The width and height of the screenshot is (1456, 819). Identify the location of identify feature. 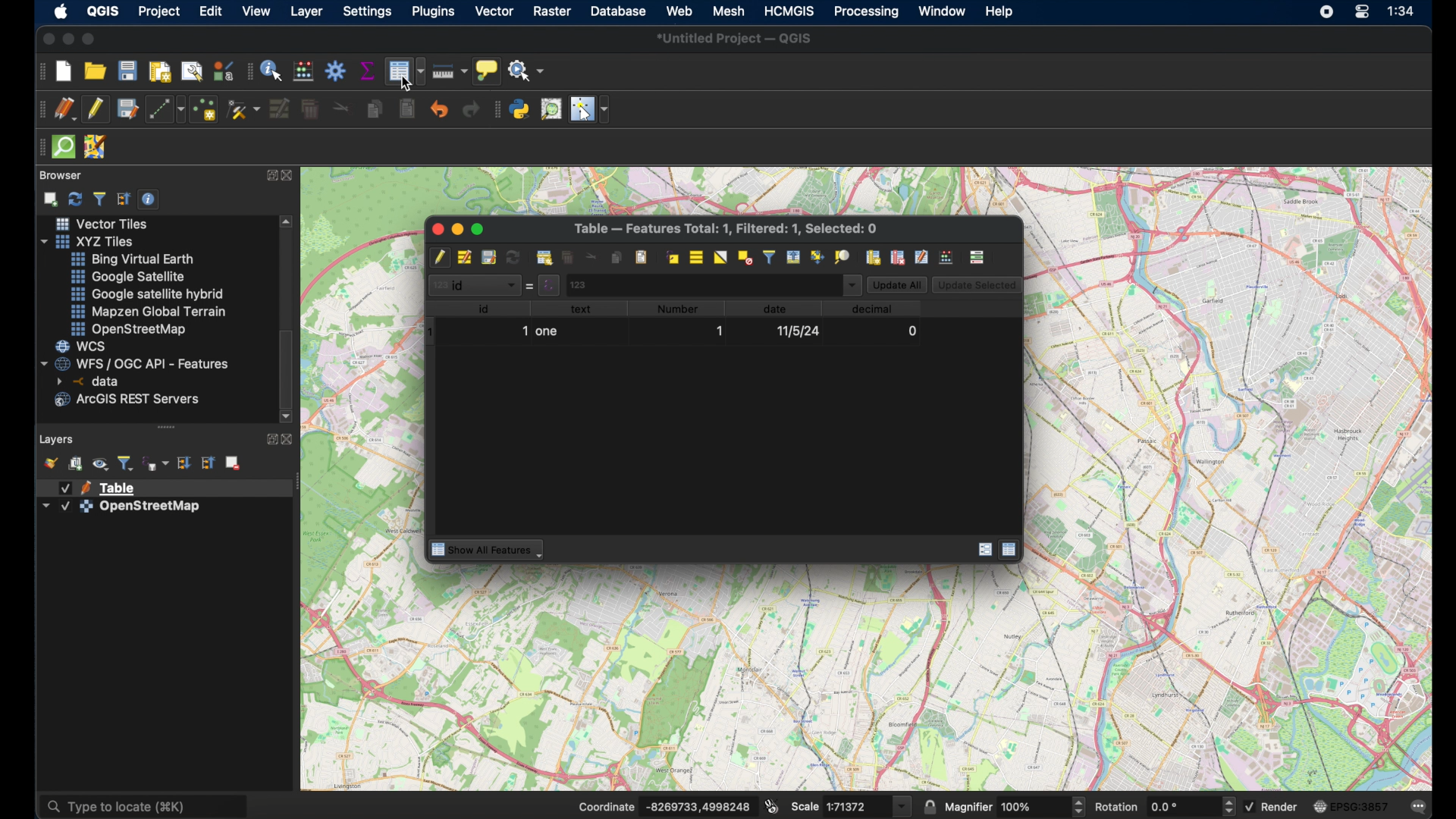
(271, 72).